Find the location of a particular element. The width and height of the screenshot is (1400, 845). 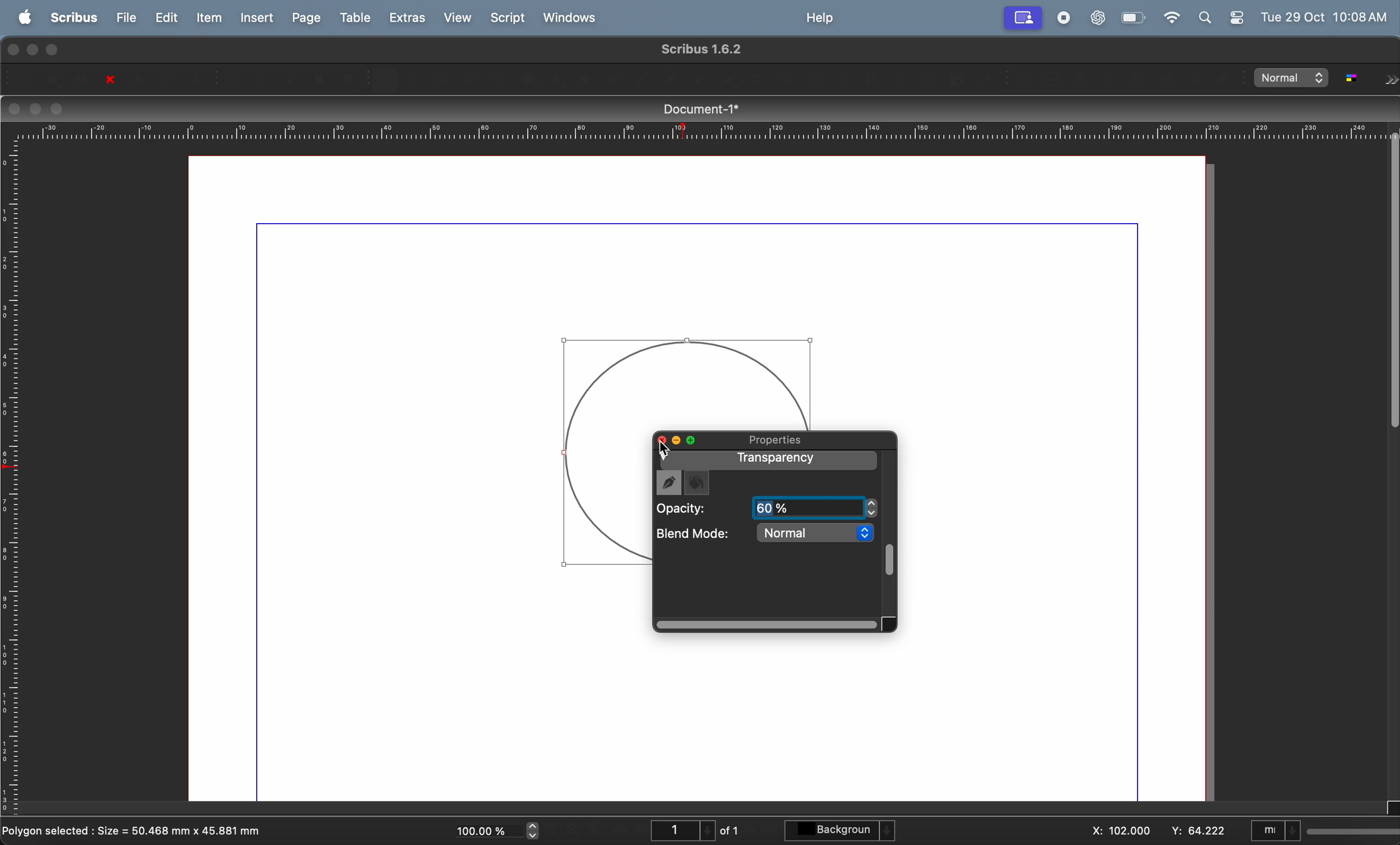

y co ordinate is located at coordinates (1197, 830).